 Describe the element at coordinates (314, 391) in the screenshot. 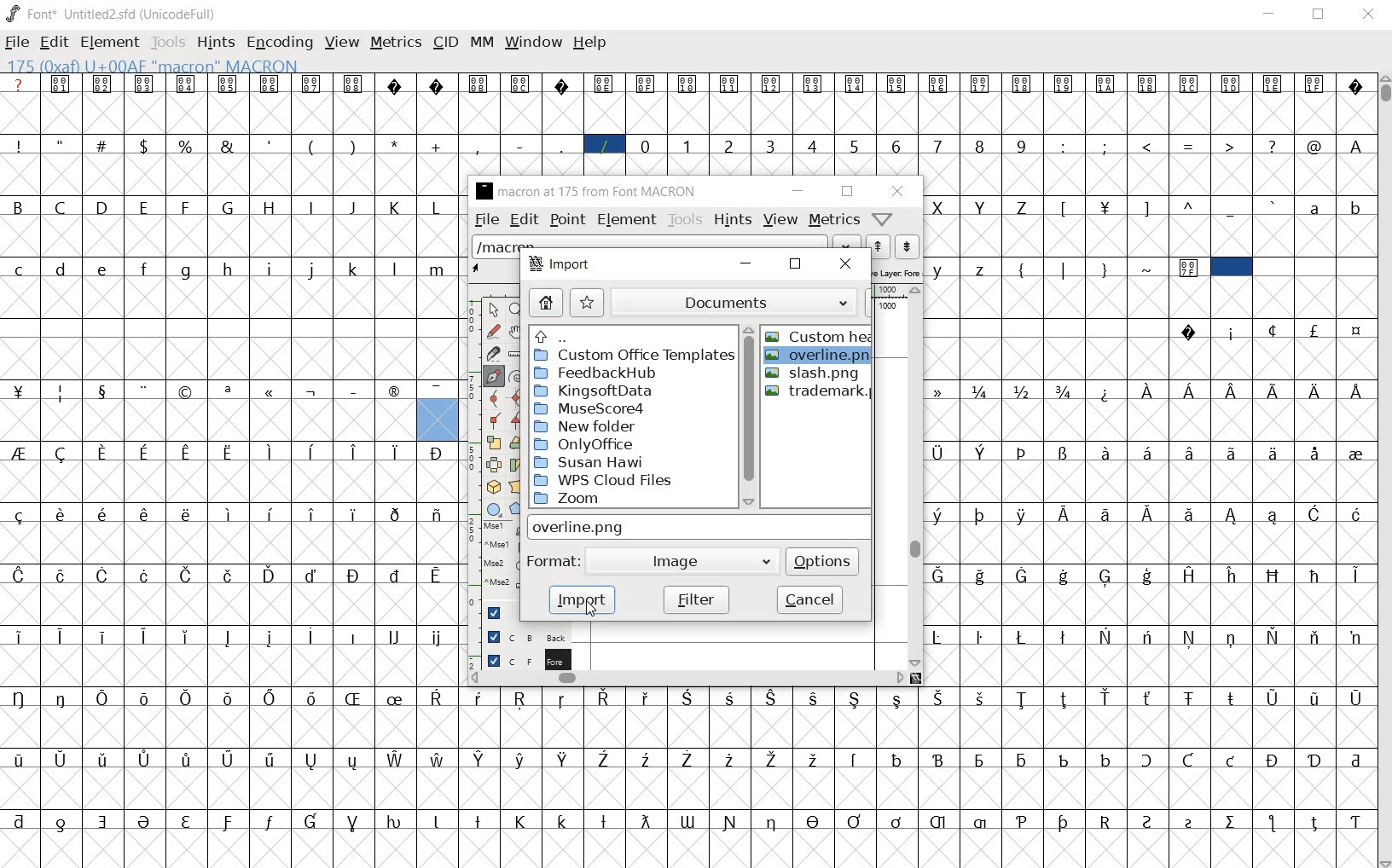

I see `Symbol` at that location.